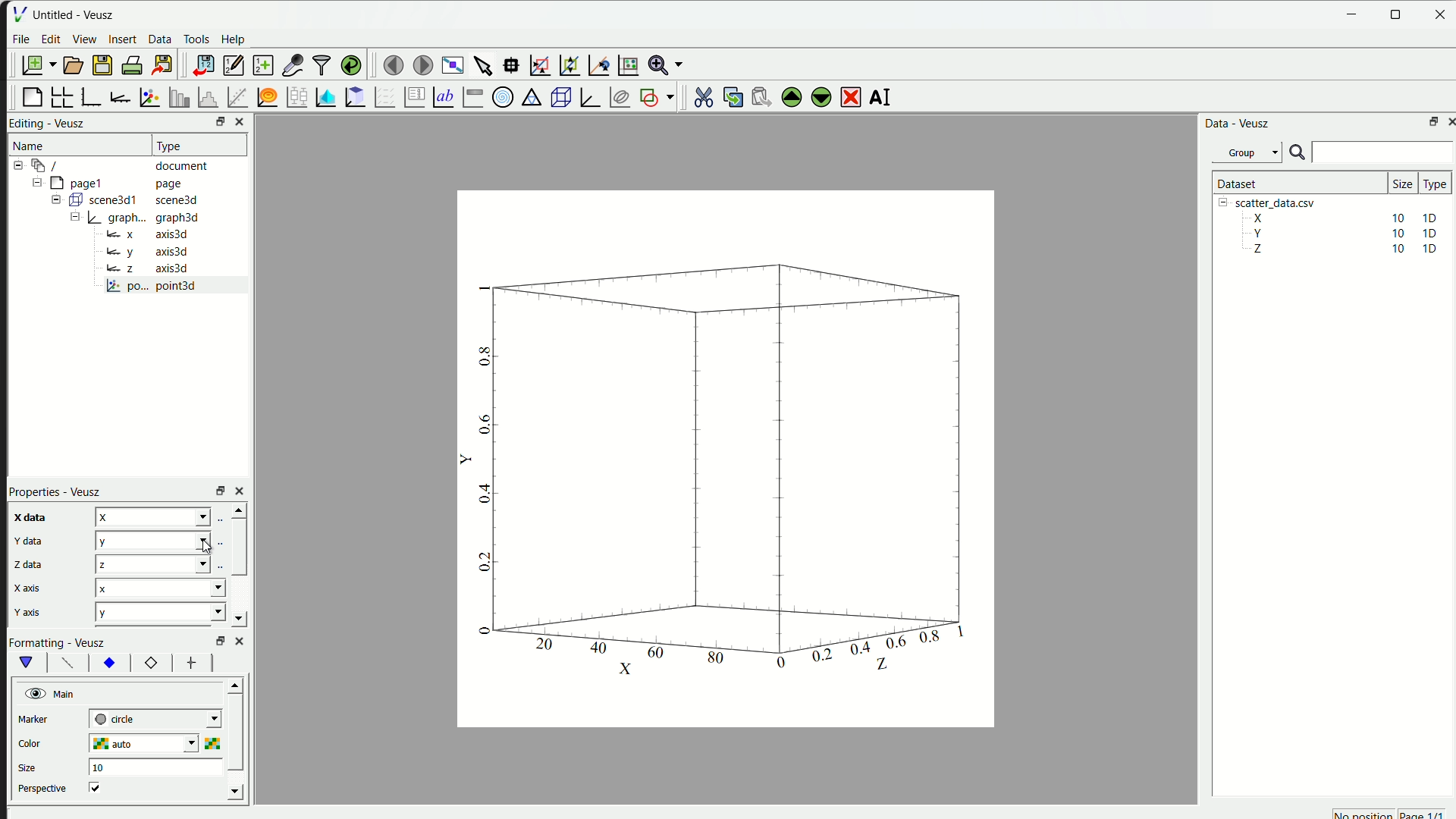  Describe the element at coordinates (501, 97) in the screenshot. I see `Polar Graph` at that location.